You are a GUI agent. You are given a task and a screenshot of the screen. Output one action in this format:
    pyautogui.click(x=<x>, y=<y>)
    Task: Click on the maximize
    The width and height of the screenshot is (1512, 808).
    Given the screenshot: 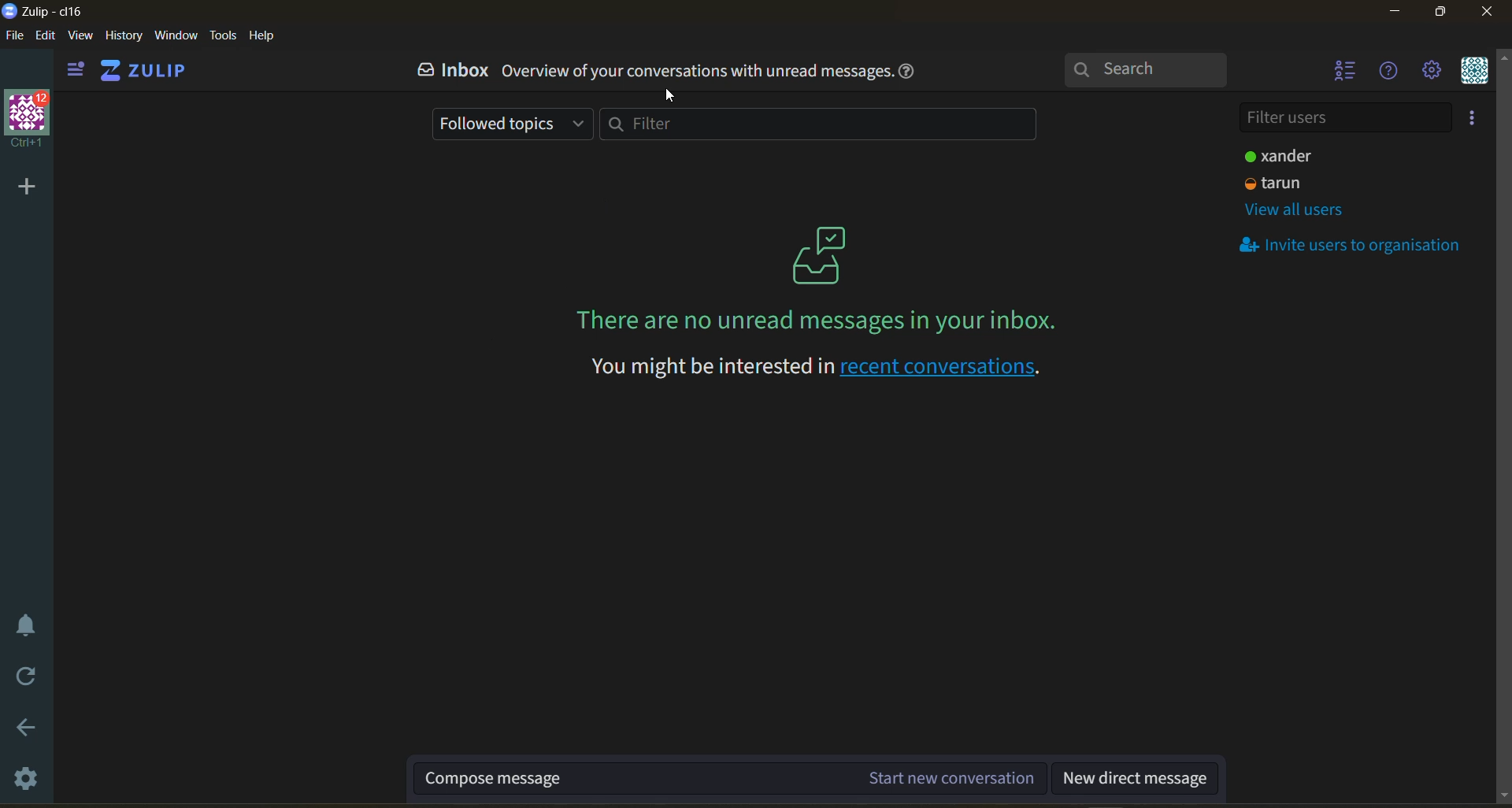 What is the action you would take?
    pyautogui.click(x=1437, y=13)
    